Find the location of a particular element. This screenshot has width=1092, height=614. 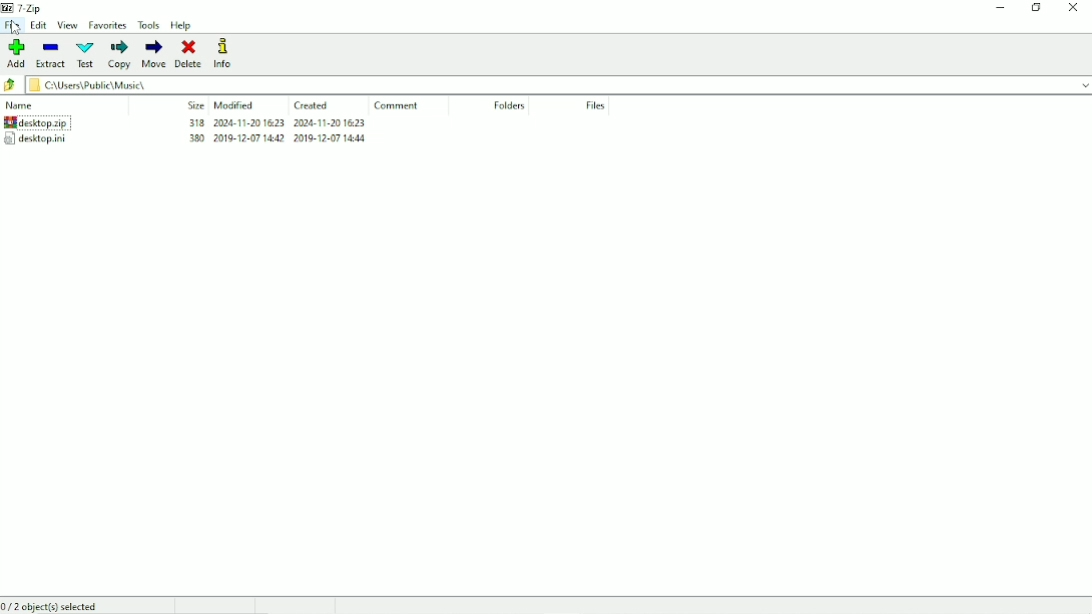

Close is located at coordinates (1074, 8).